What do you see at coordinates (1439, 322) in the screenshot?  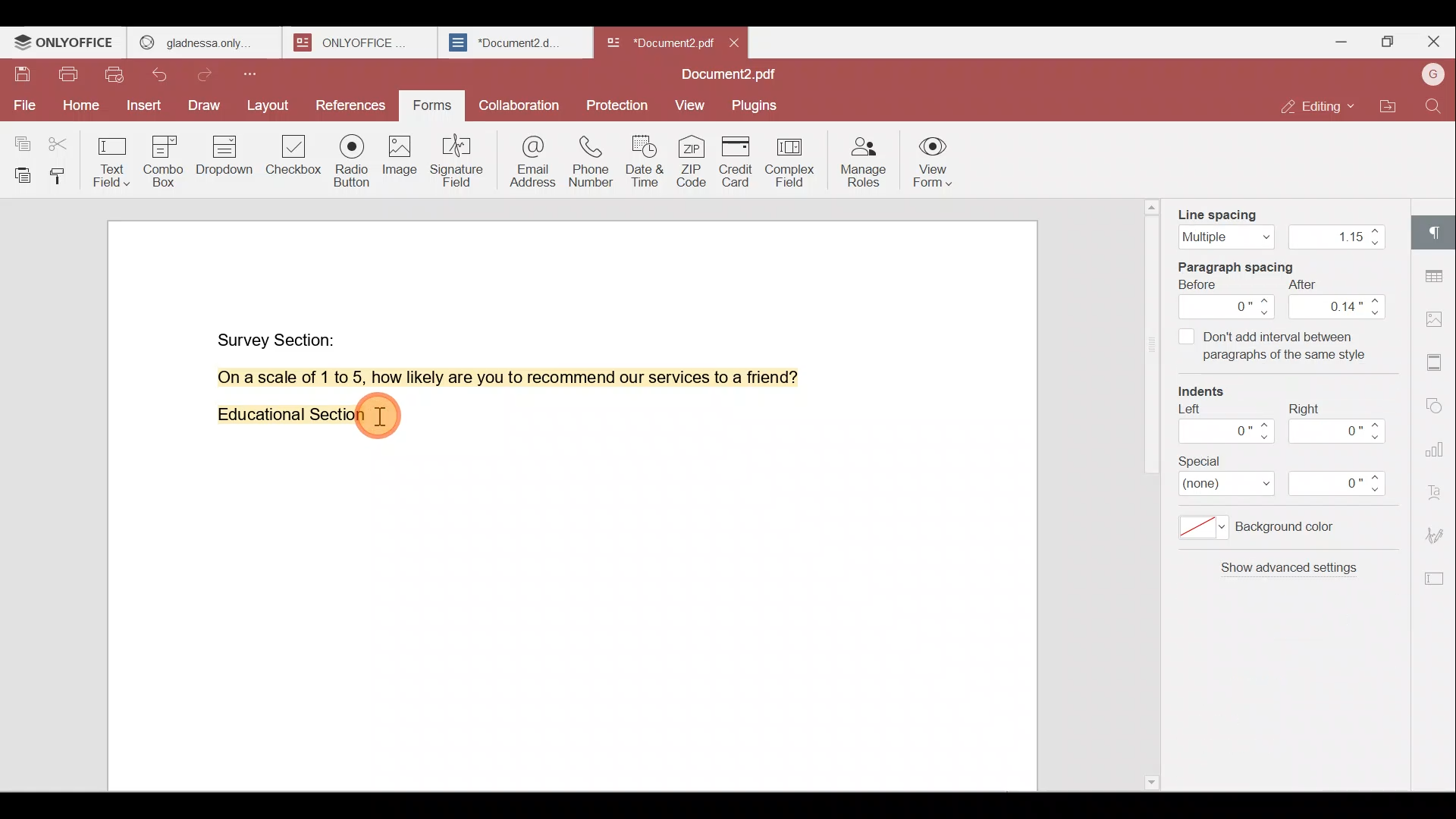 I see `Image settings` at bounding box center [1439, 322].